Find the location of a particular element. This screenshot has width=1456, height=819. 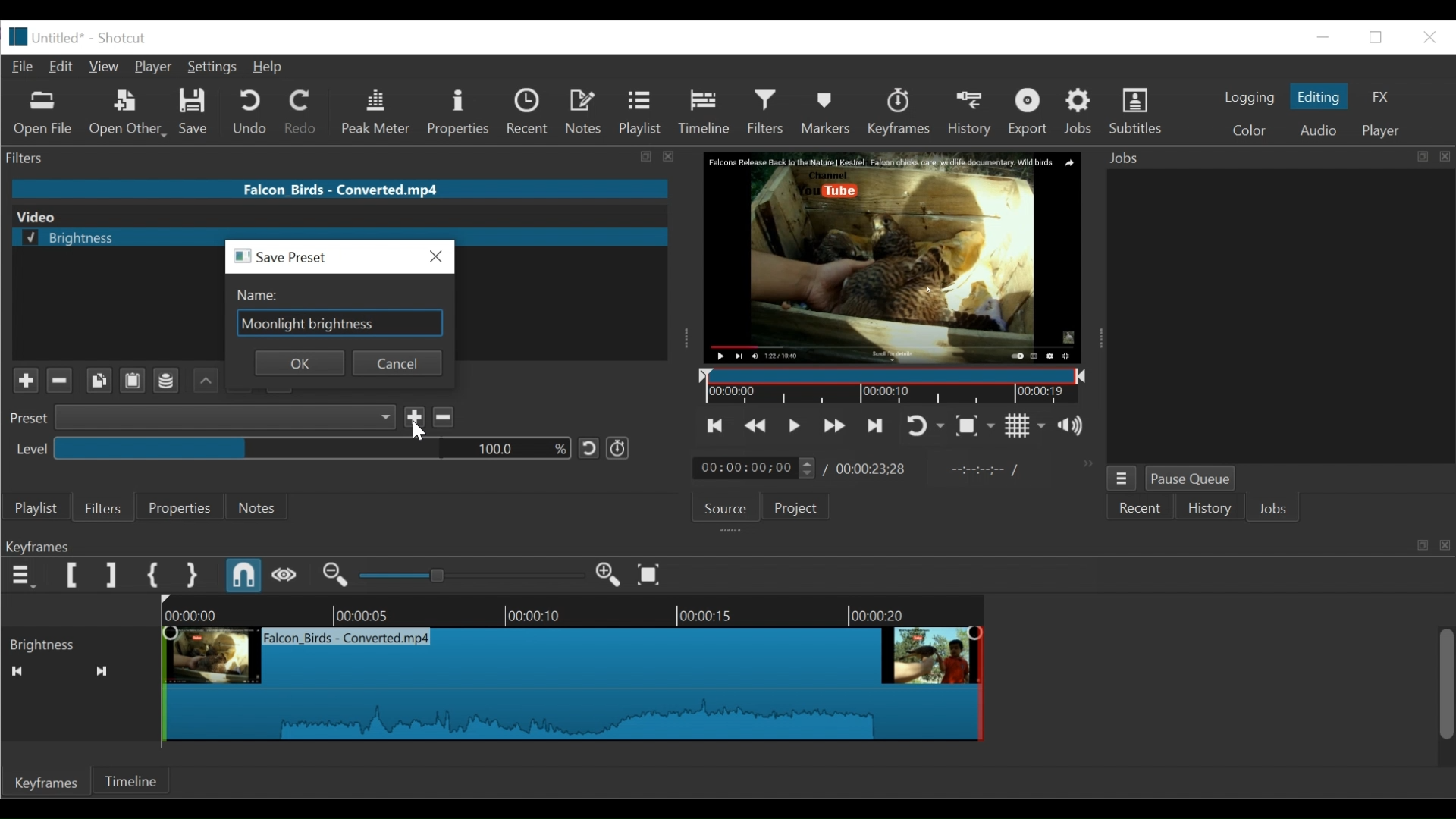

Save is located at coordinates (193, 112).